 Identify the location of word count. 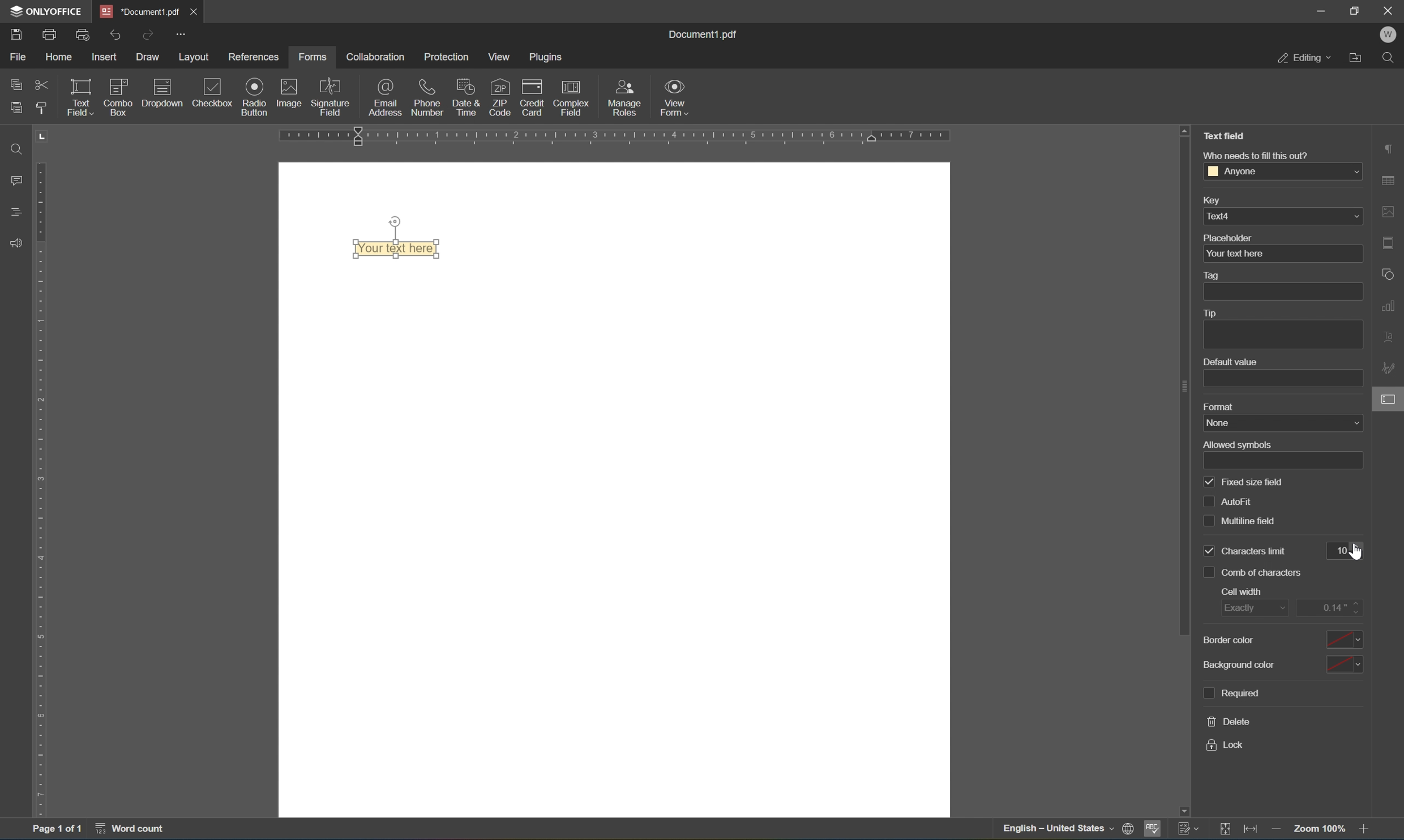
(127, 828).